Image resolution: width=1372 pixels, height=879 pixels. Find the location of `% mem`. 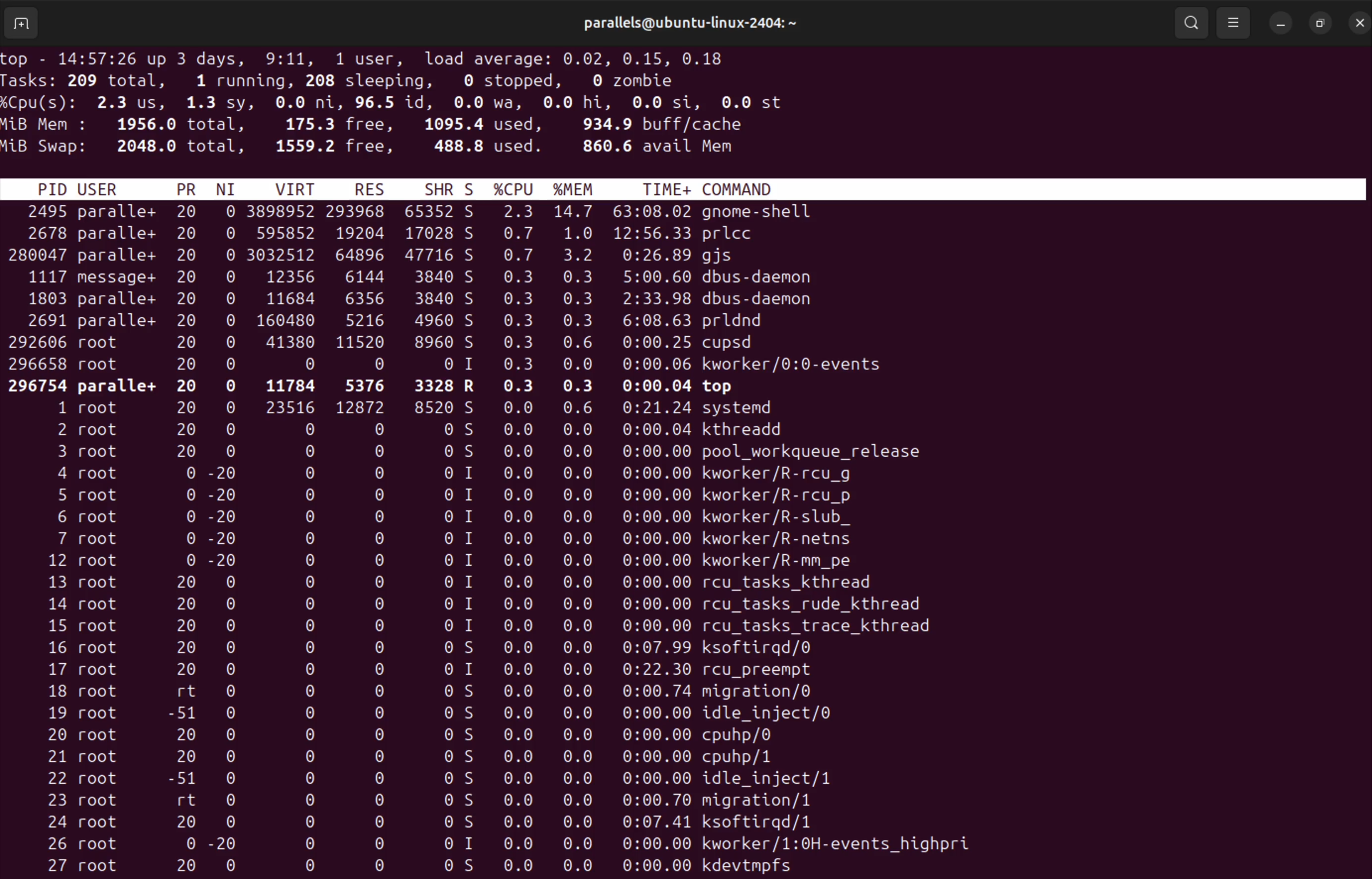

% mem is located at coordinates (580, 187).